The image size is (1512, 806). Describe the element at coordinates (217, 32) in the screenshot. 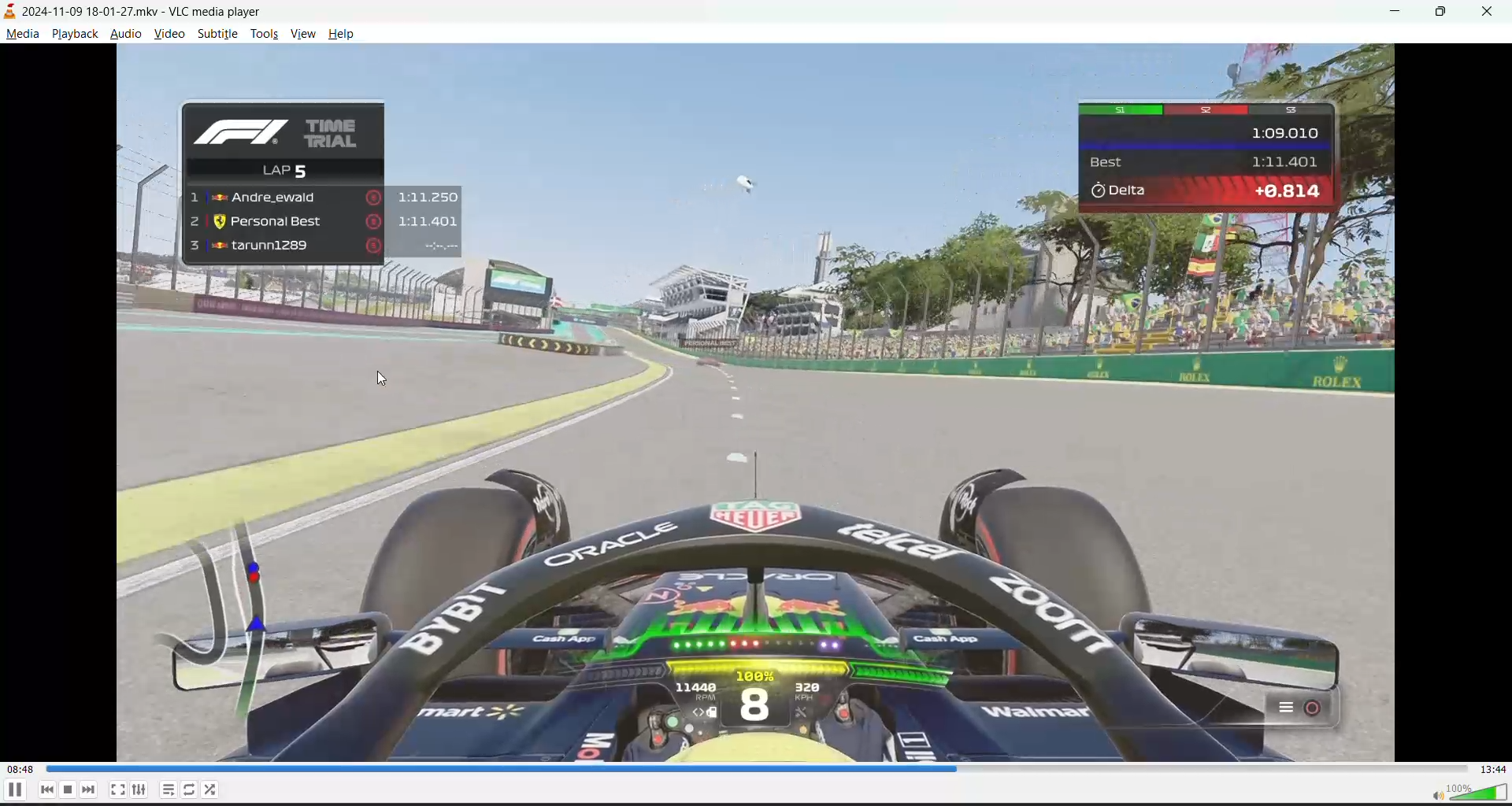

I see `subtitle` at that location.